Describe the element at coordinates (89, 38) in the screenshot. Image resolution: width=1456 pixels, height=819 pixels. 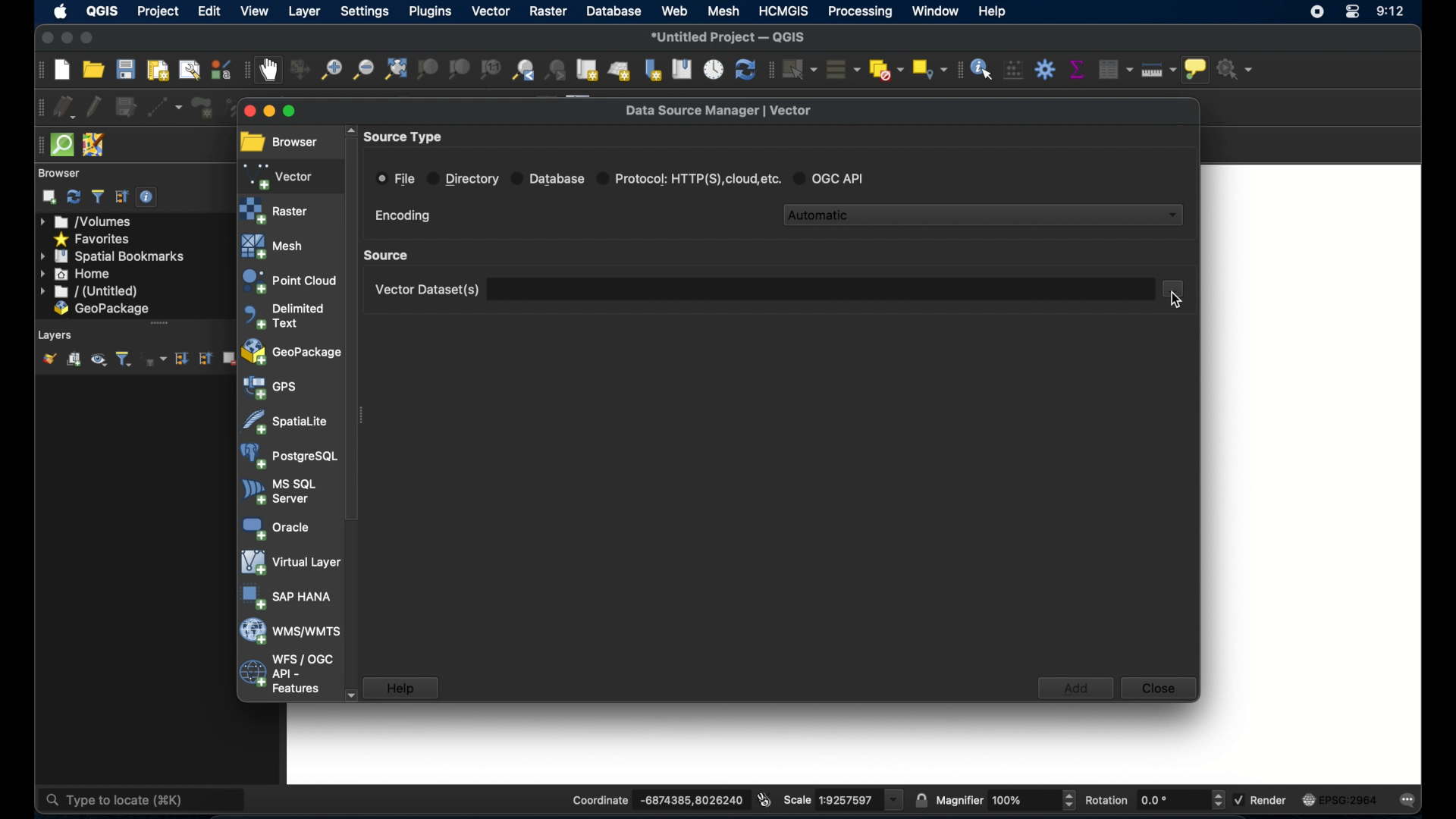
I see `maximize` at that location.